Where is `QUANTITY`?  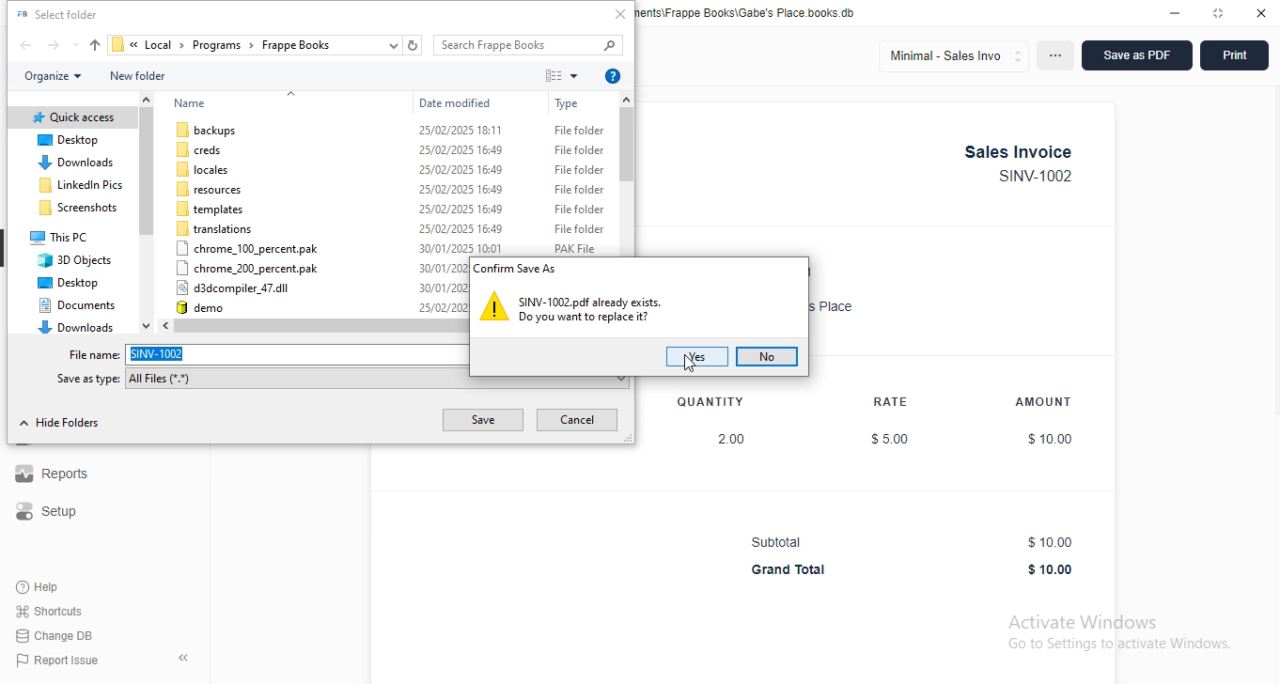
QUANTITY is located at coordinates (710, 402).